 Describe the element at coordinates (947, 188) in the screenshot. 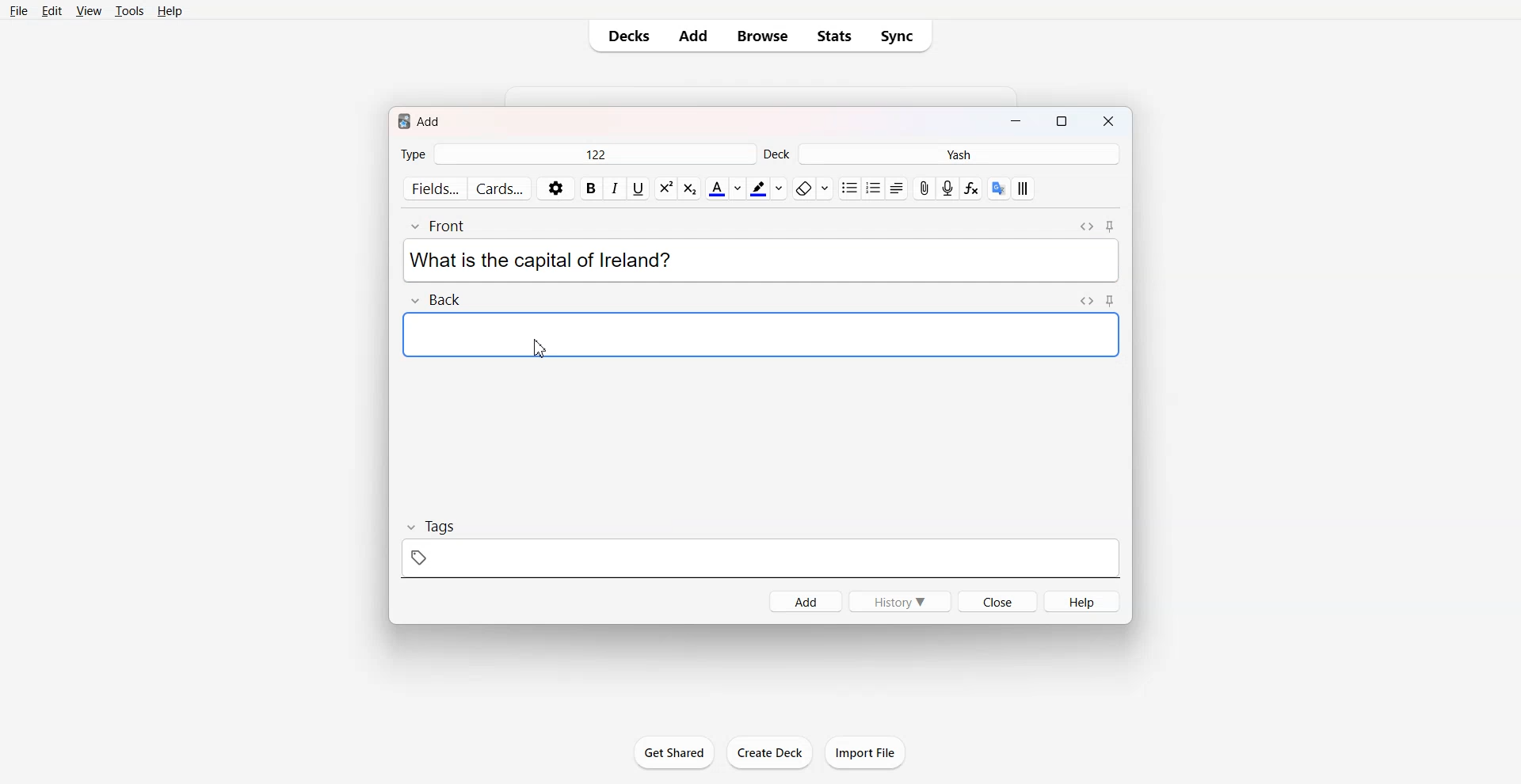

I see `Record Audio` at that location.